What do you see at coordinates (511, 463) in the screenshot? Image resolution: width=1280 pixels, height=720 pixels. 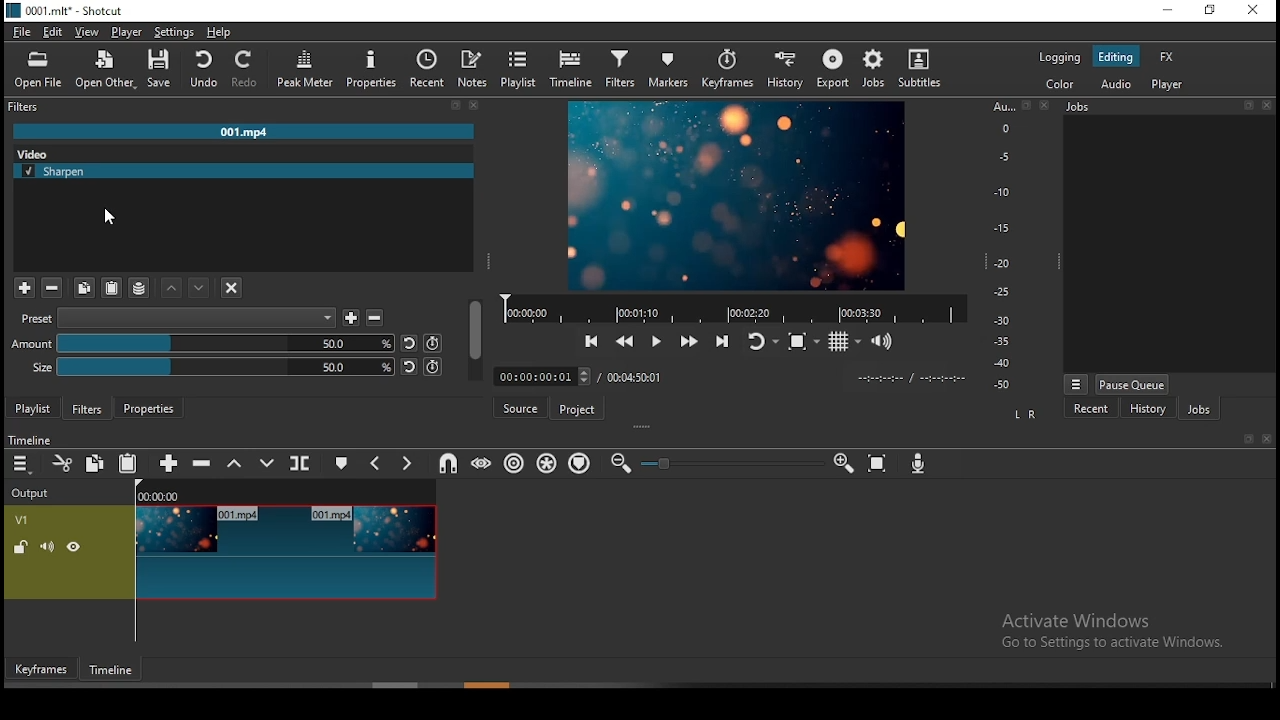 I see `ripple` at bounding box center [511, 463].